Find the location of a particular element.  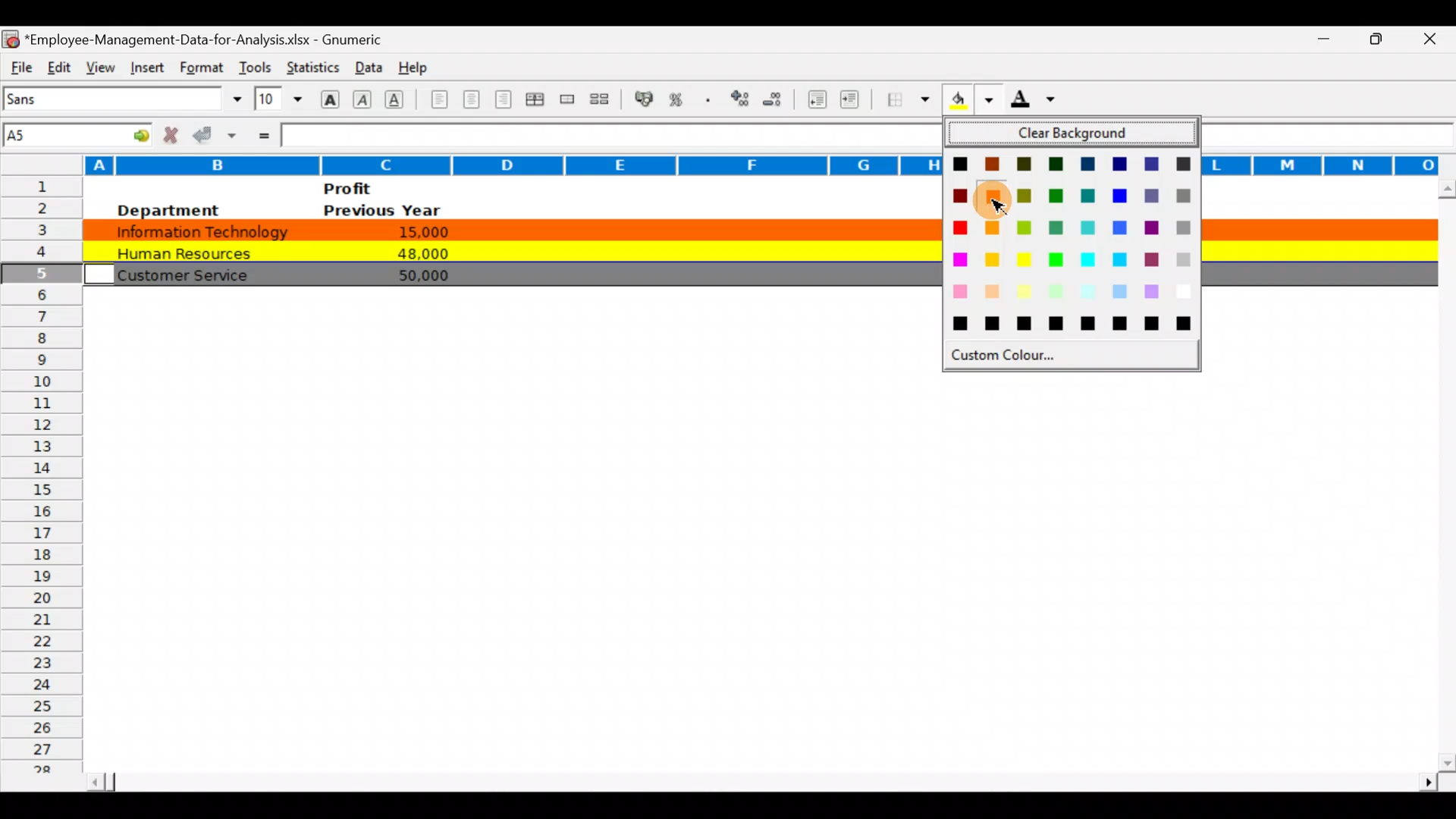

Minimize is located at coordinates (1315, 39).